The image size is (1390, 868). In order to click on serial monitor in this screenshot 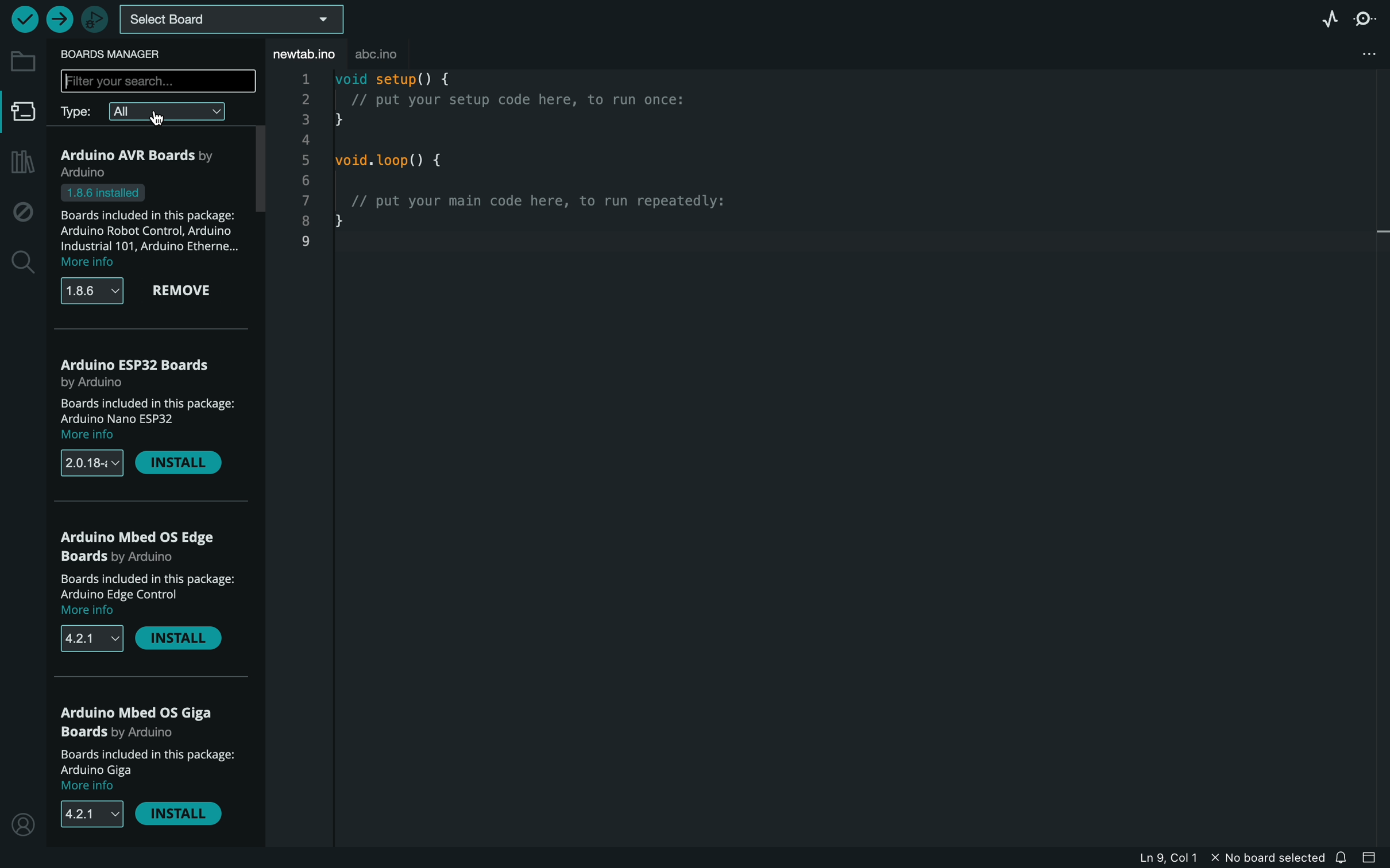, I will do `click(1364, 19)`.